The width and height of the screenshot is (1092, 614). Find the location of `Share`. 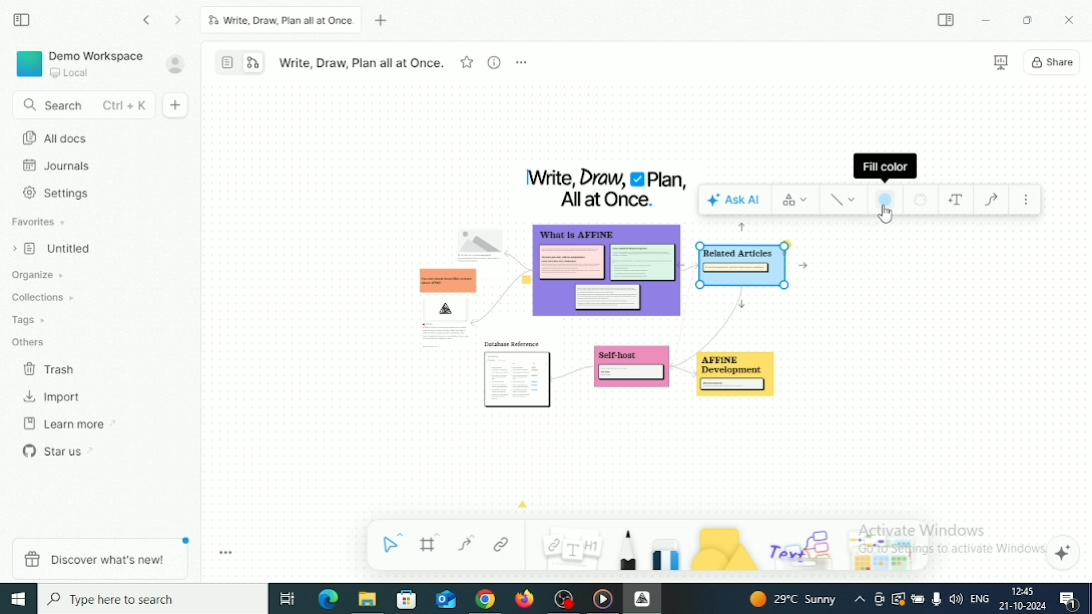

Share is located at coordinates (1054, 62).